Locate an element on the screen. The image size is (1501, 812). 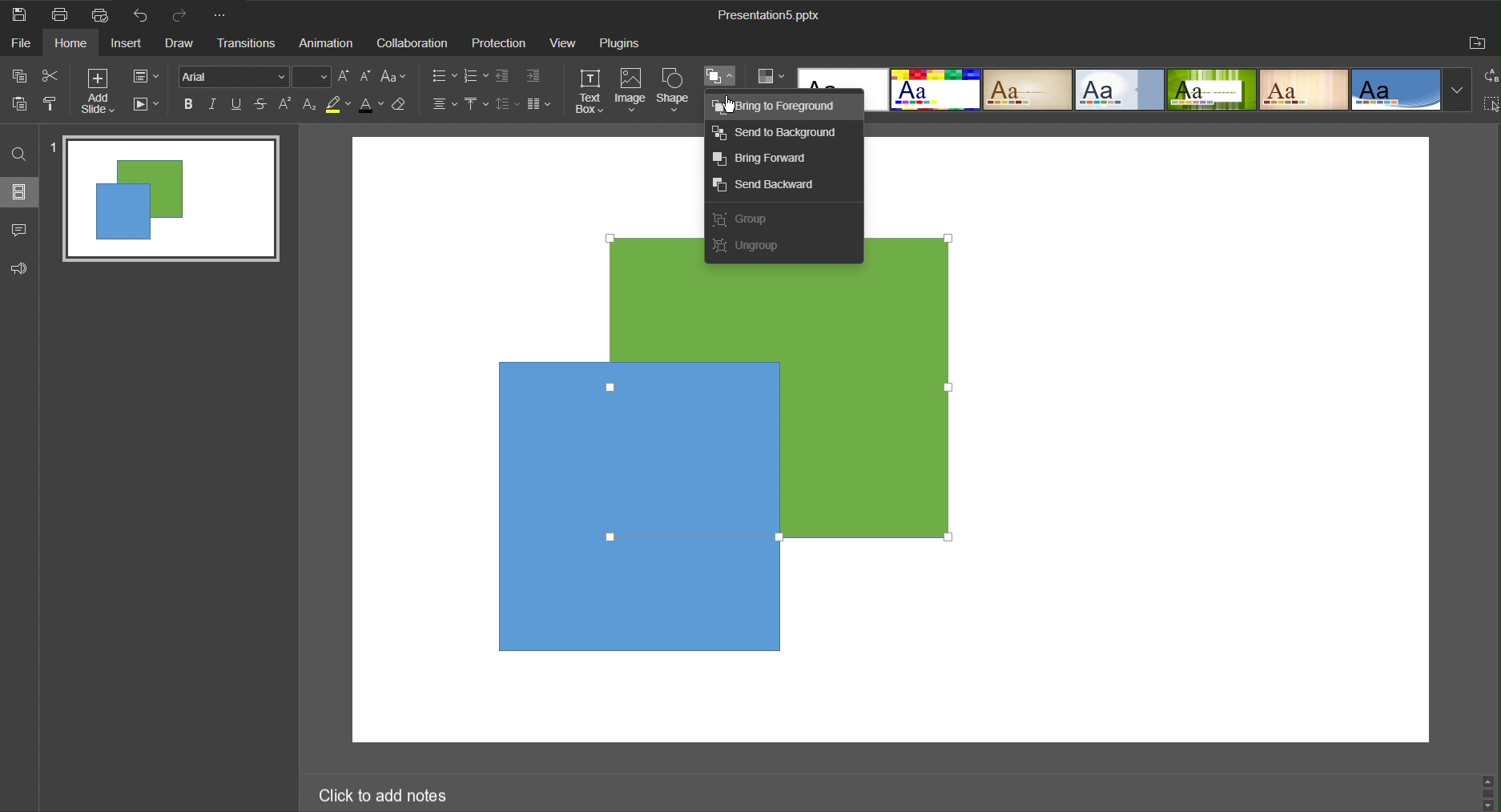
Line Spacing is located at coordinates (509, 106).